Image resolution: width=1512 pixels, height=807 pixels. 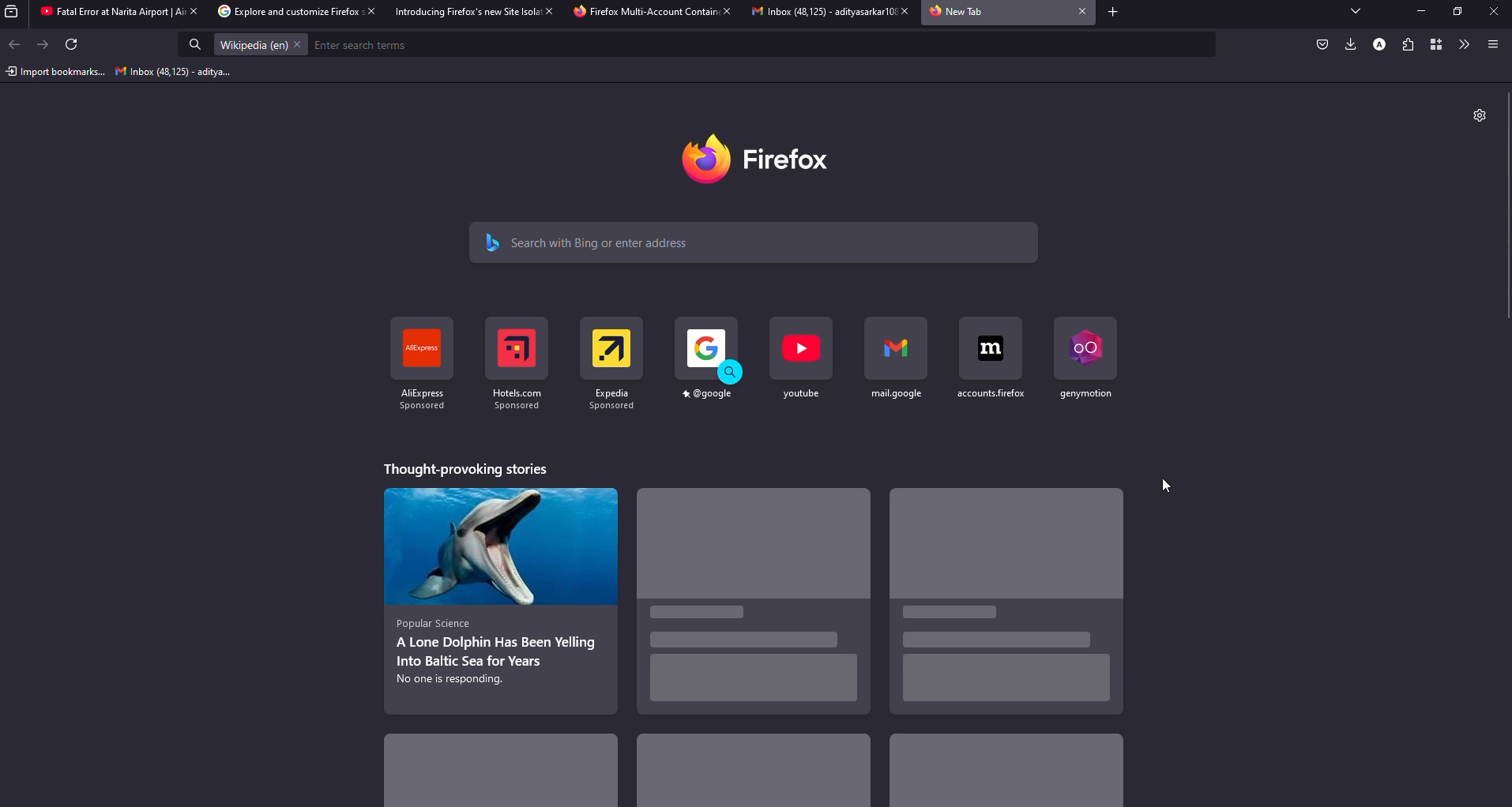 I want to click on stories, so click(x=464, y=468).